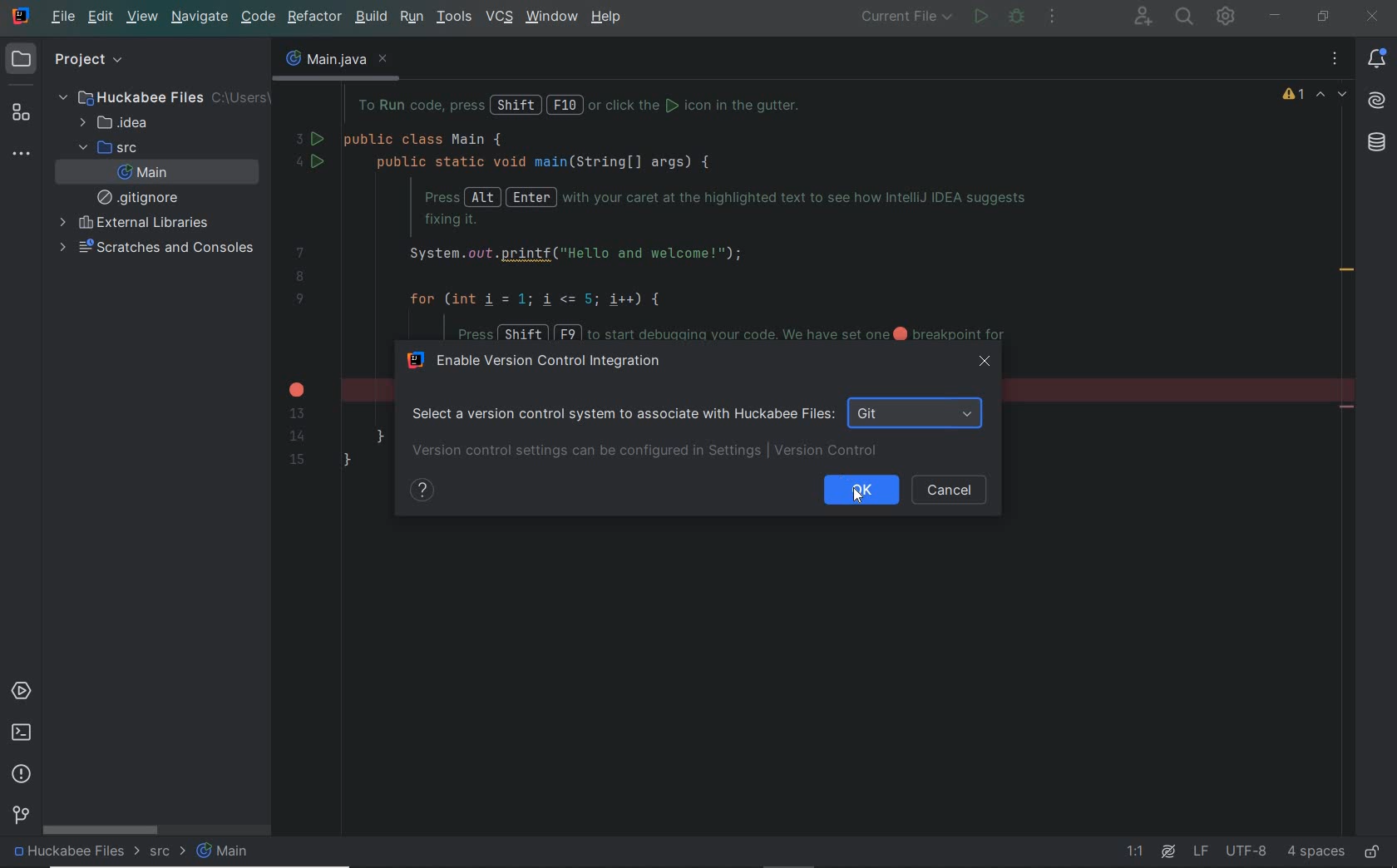  Describe the element at coordinates (58, 61) in the screenshot. I see `project` at that location.